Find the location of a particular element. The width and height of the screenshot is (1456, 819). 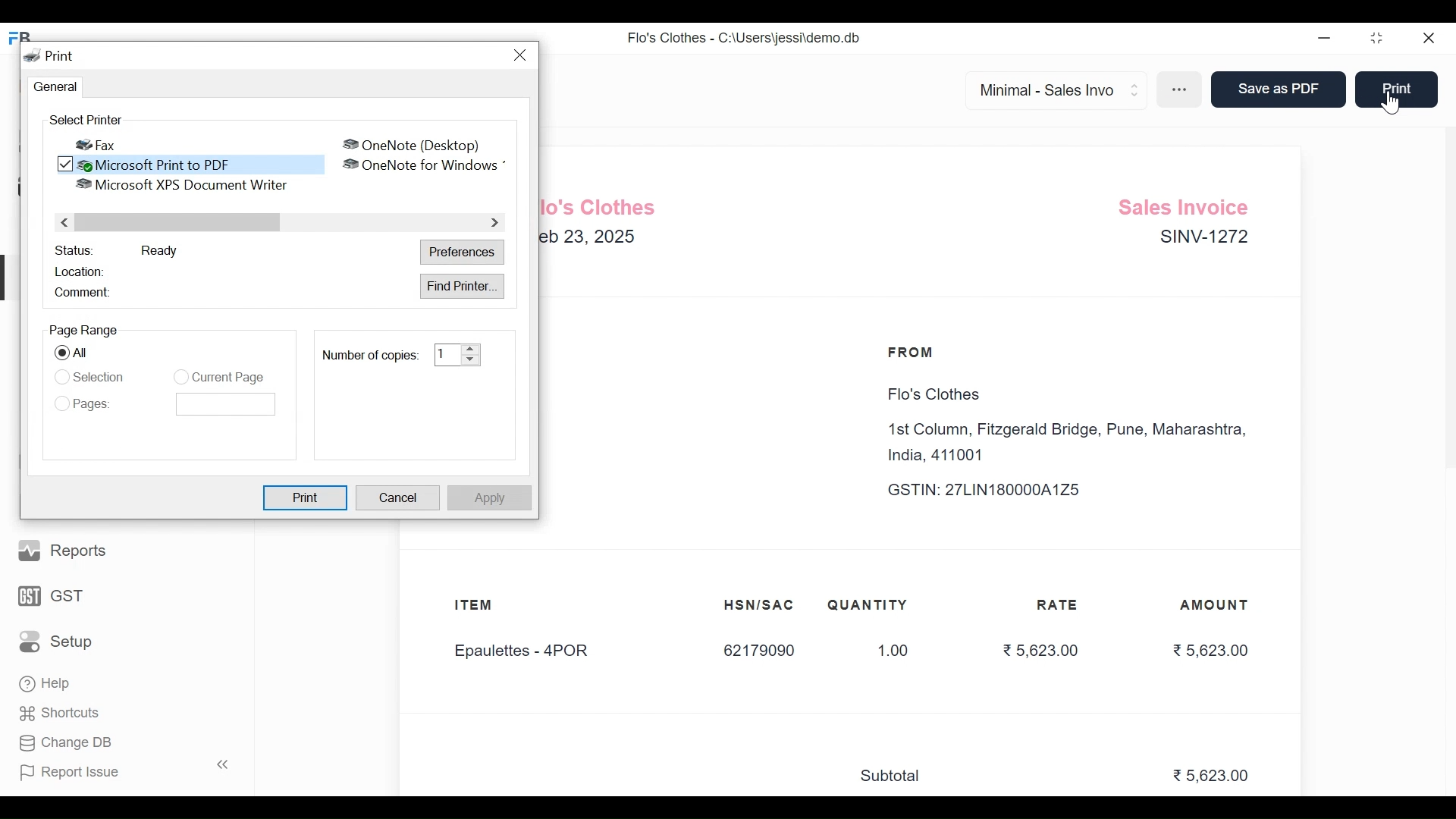

General is located at coordinates (52, 87).